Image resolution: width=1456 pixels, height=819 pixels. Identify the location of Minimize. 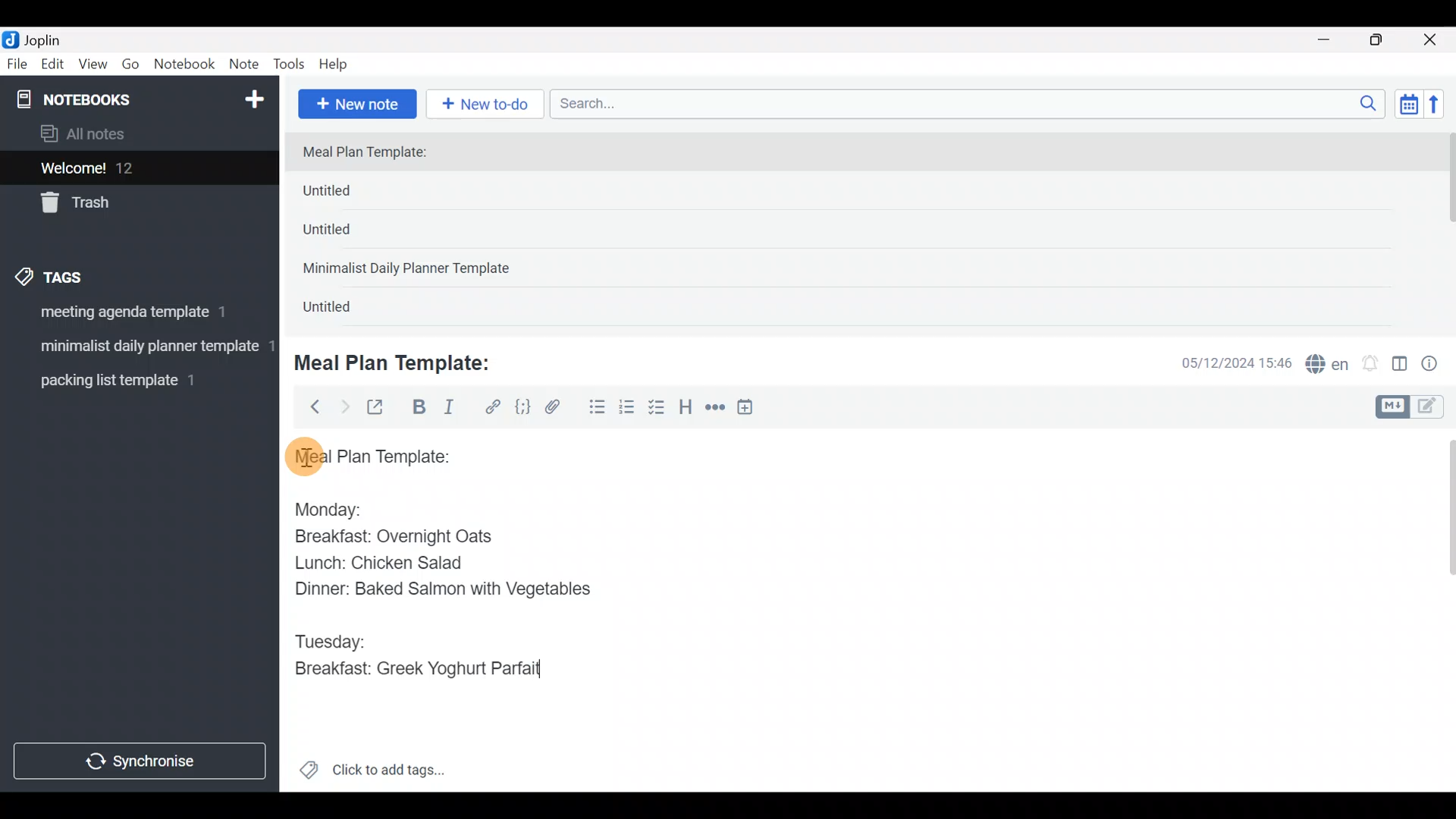
(1332, 38).